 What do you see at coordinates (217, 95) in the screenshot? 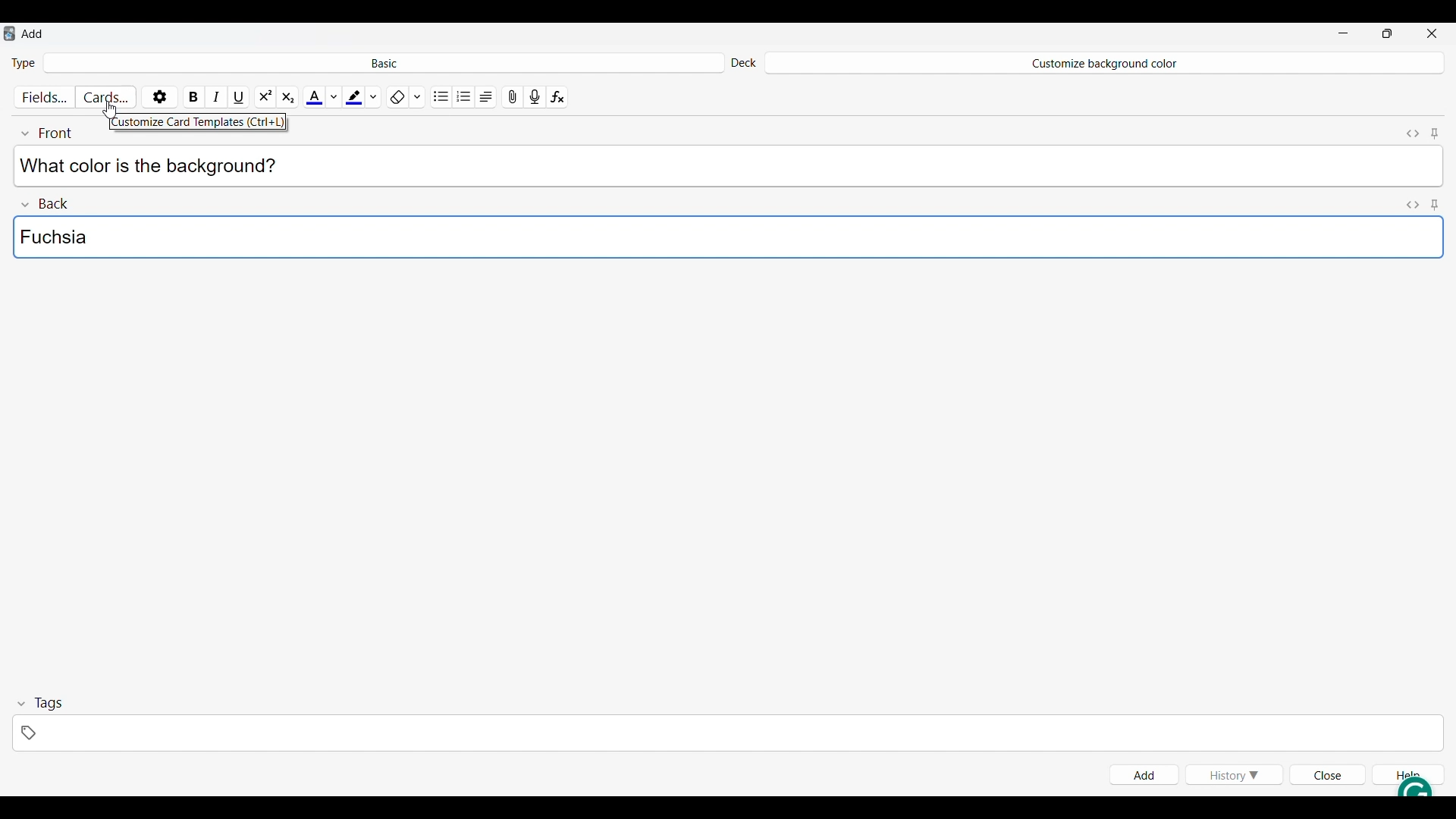
I see `Italics` at bounding box center [217, 95].